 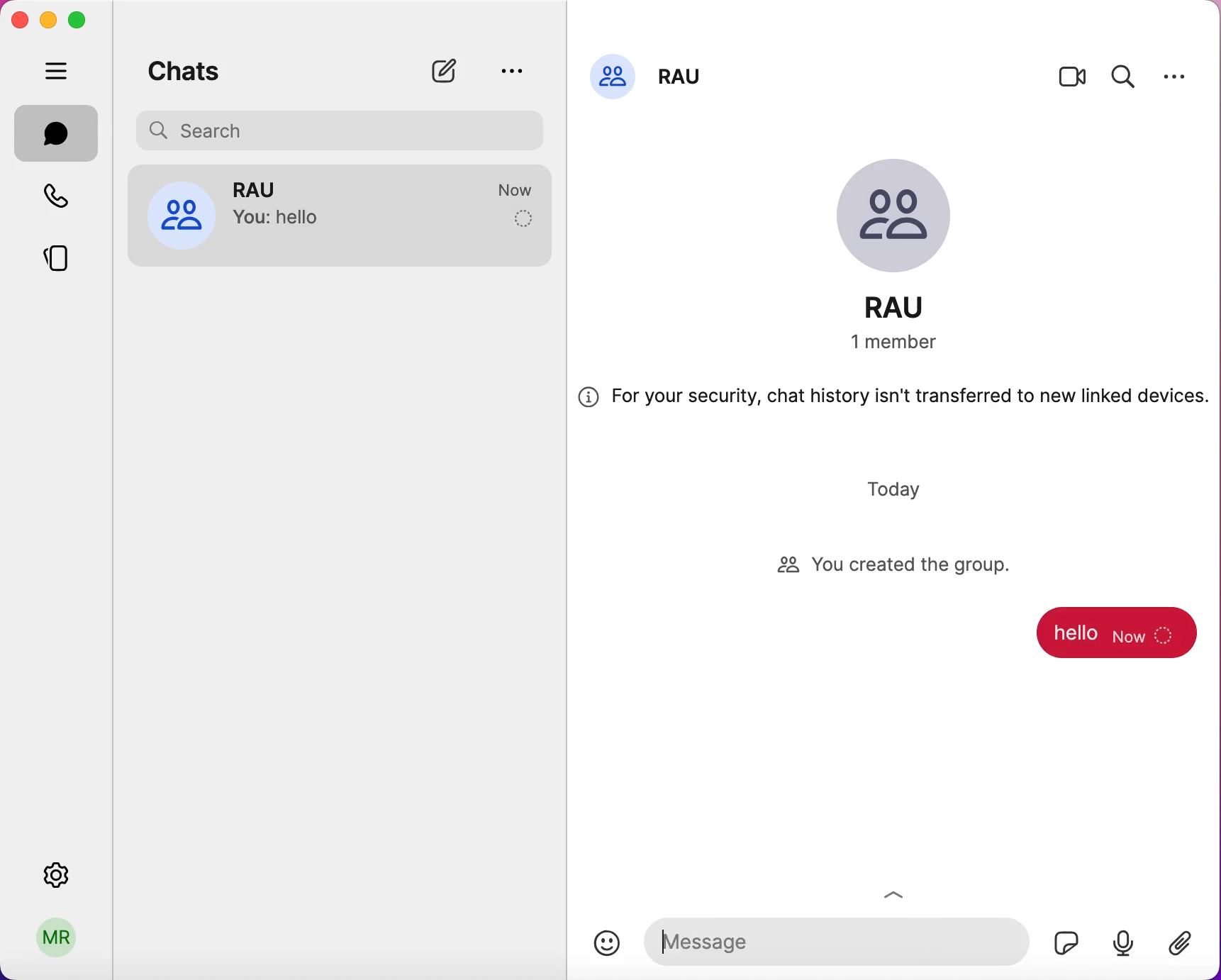 What do you see at coordinates (67, 253) in the screenshot?
I see `stories` at bounding box center [67, 253].